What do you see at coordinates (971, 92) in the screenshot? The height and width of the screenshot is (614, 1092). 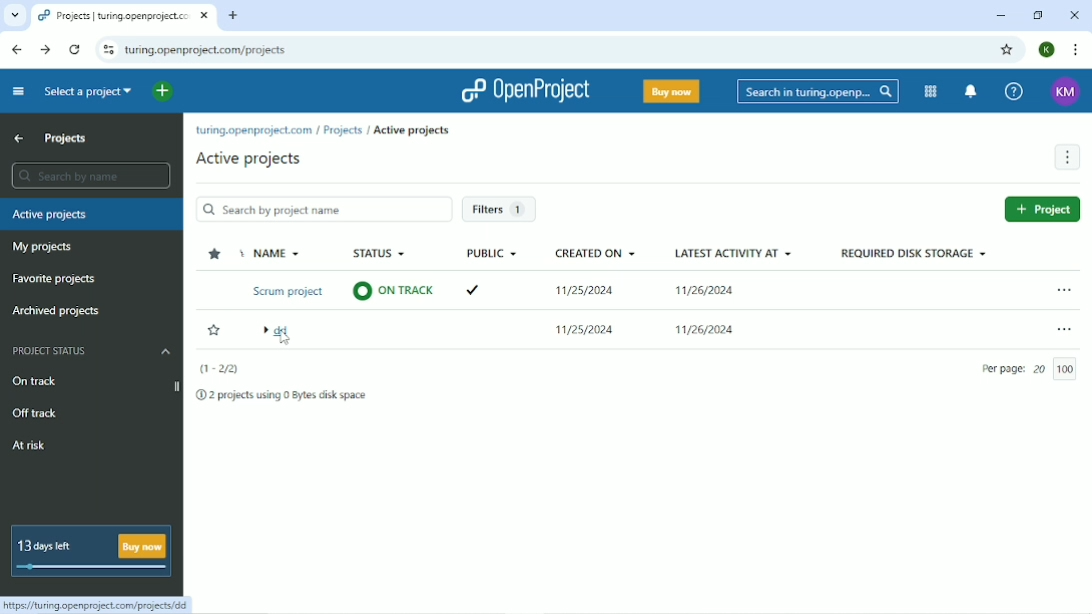 I see `To notification center` at bounding box center [971, 92].